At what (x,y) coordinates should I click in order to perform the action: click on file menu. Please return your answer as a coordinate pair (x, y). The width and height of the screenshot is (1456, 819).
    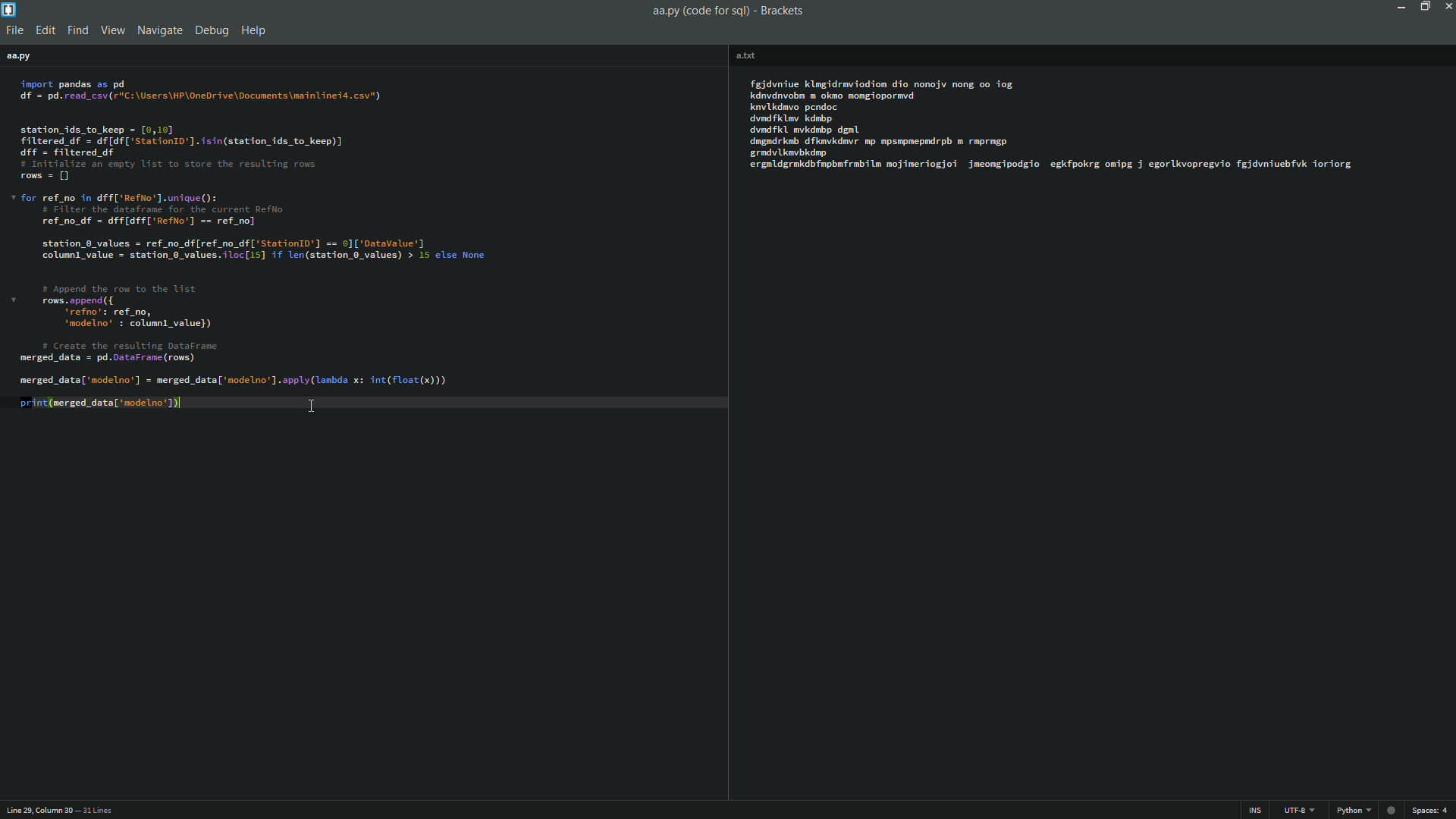
    Looking at the image, I should click on (14, 31).